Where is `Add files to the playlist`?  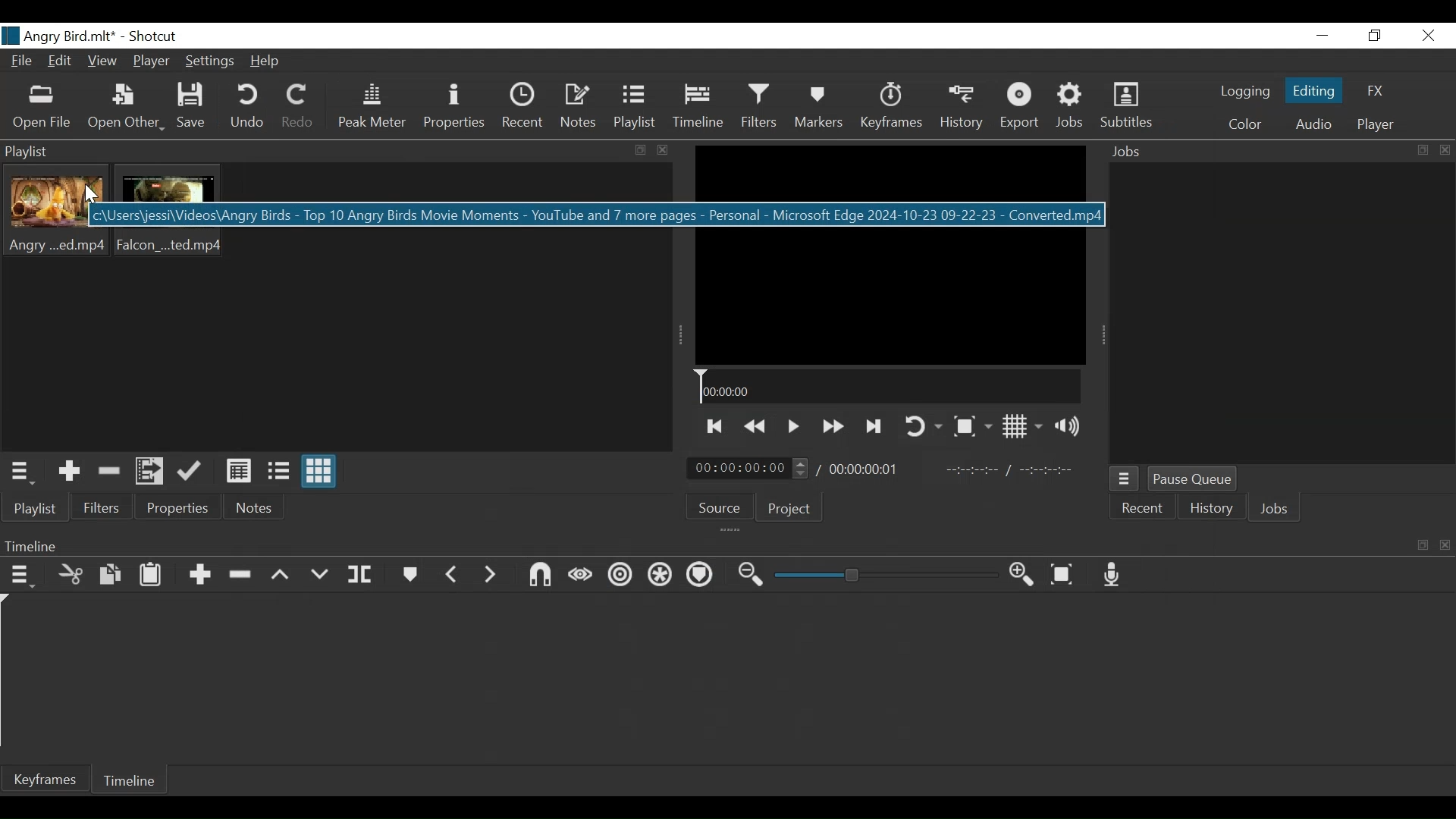
Add files to the playlist is located at coordinates (151, 472).